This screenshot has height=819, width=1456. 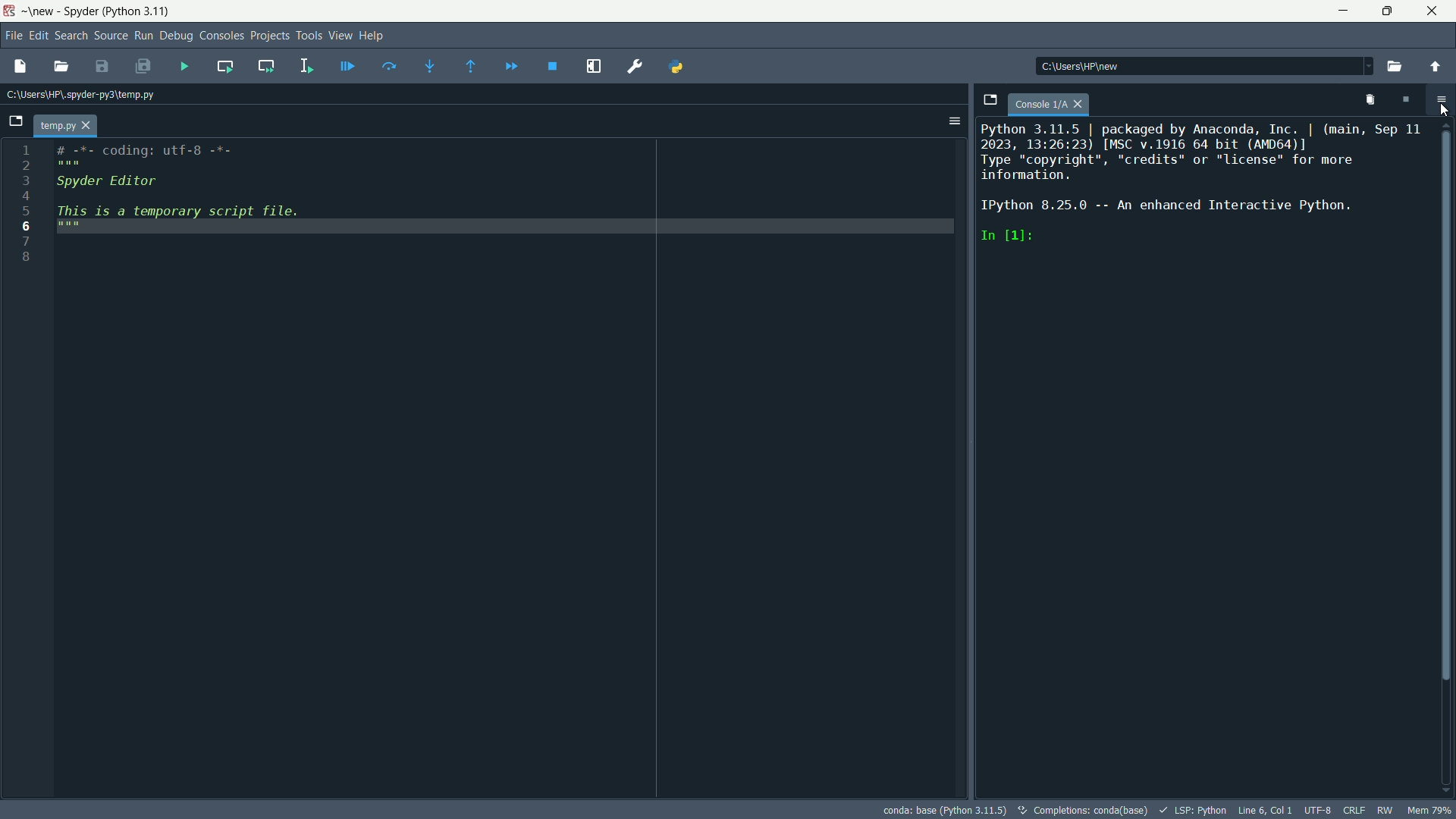 What do you see at coordinates (309, 36) in the screenshot?
I see `tools menu` at bounding box center [309, 36].